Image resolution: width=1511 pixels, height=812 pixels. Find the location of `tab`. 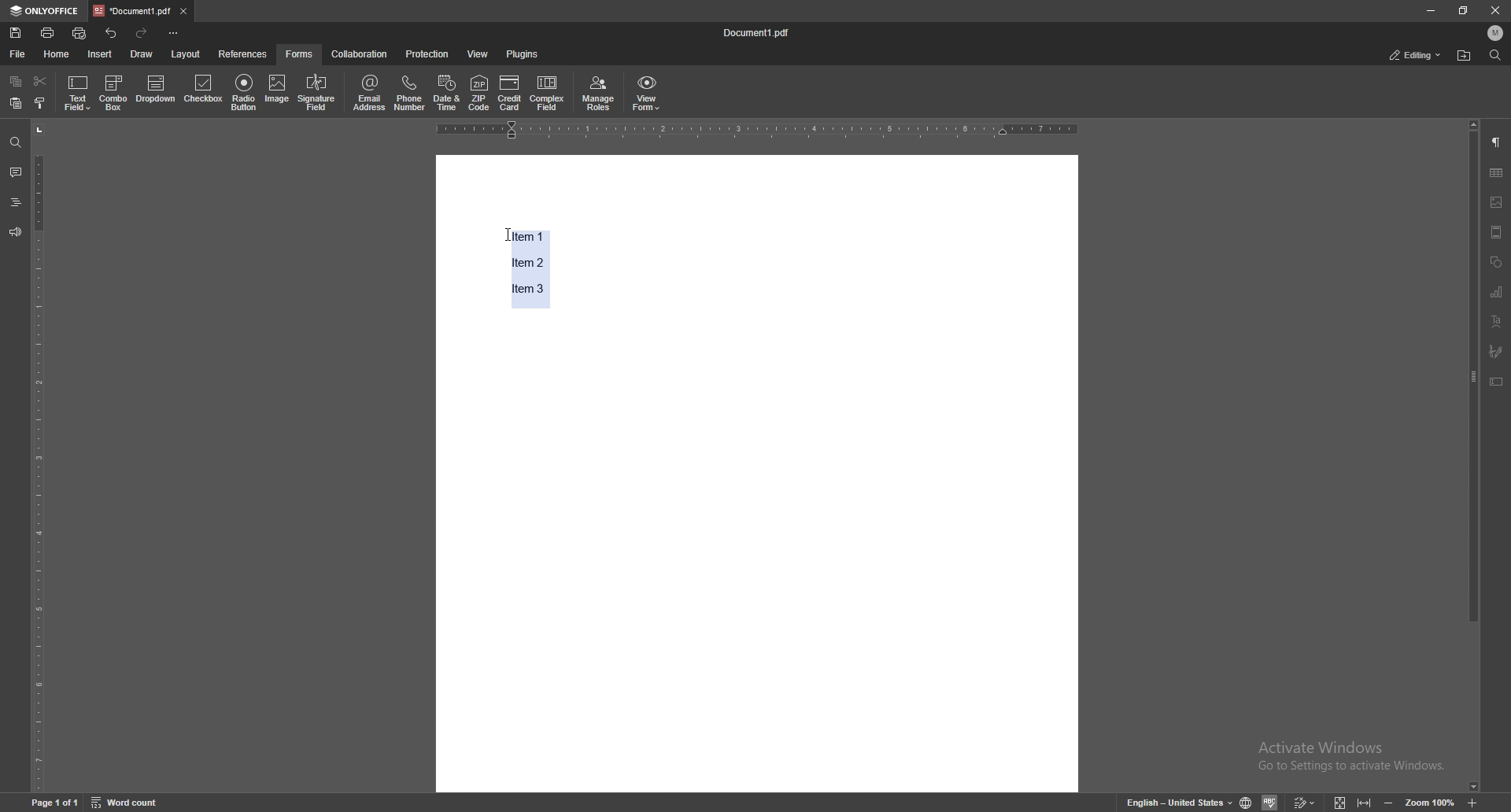

tab is located at coordinates (132, 10).